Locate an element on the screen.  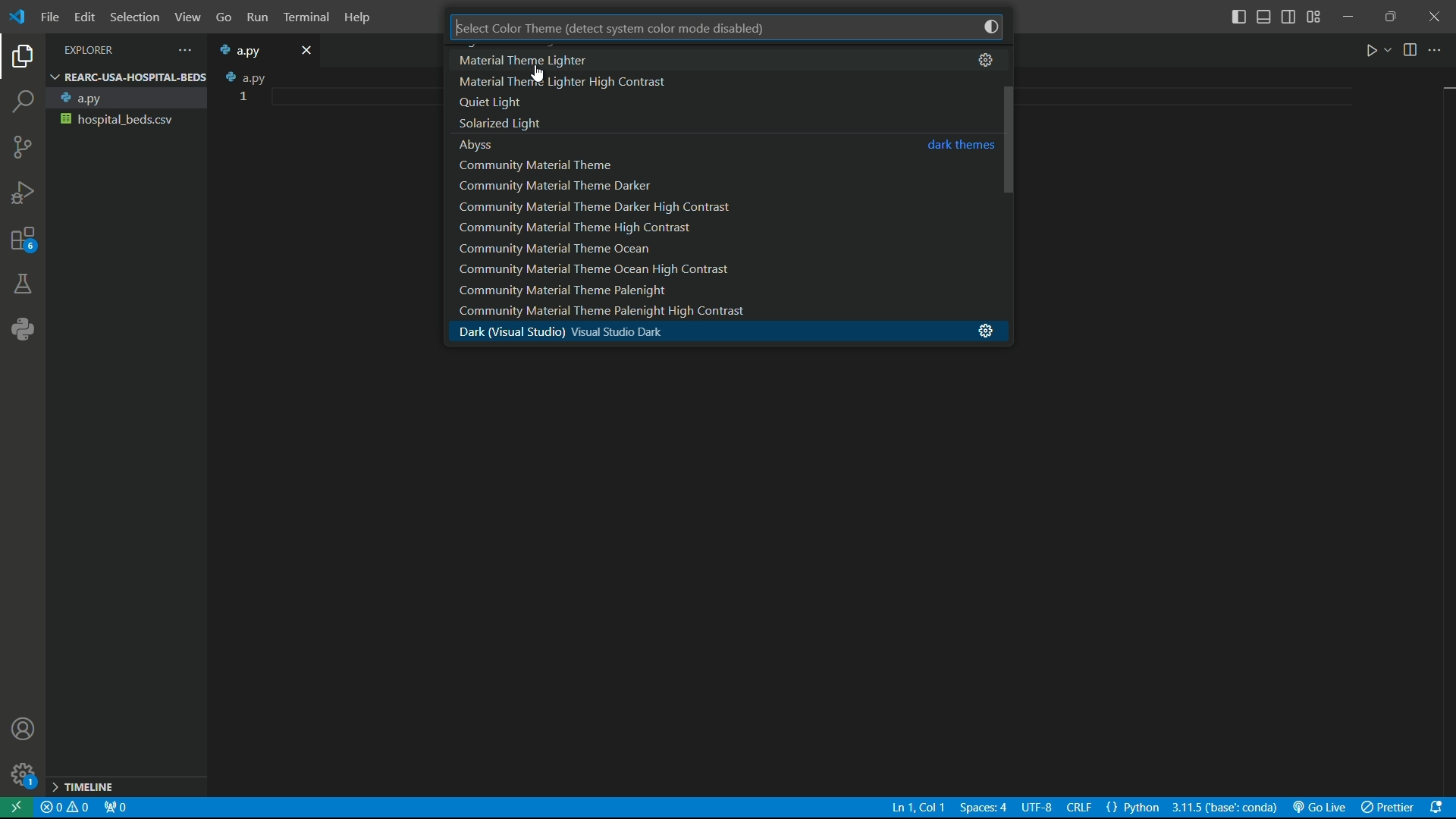
maximize or restore is located at coordinates (1390, 15).